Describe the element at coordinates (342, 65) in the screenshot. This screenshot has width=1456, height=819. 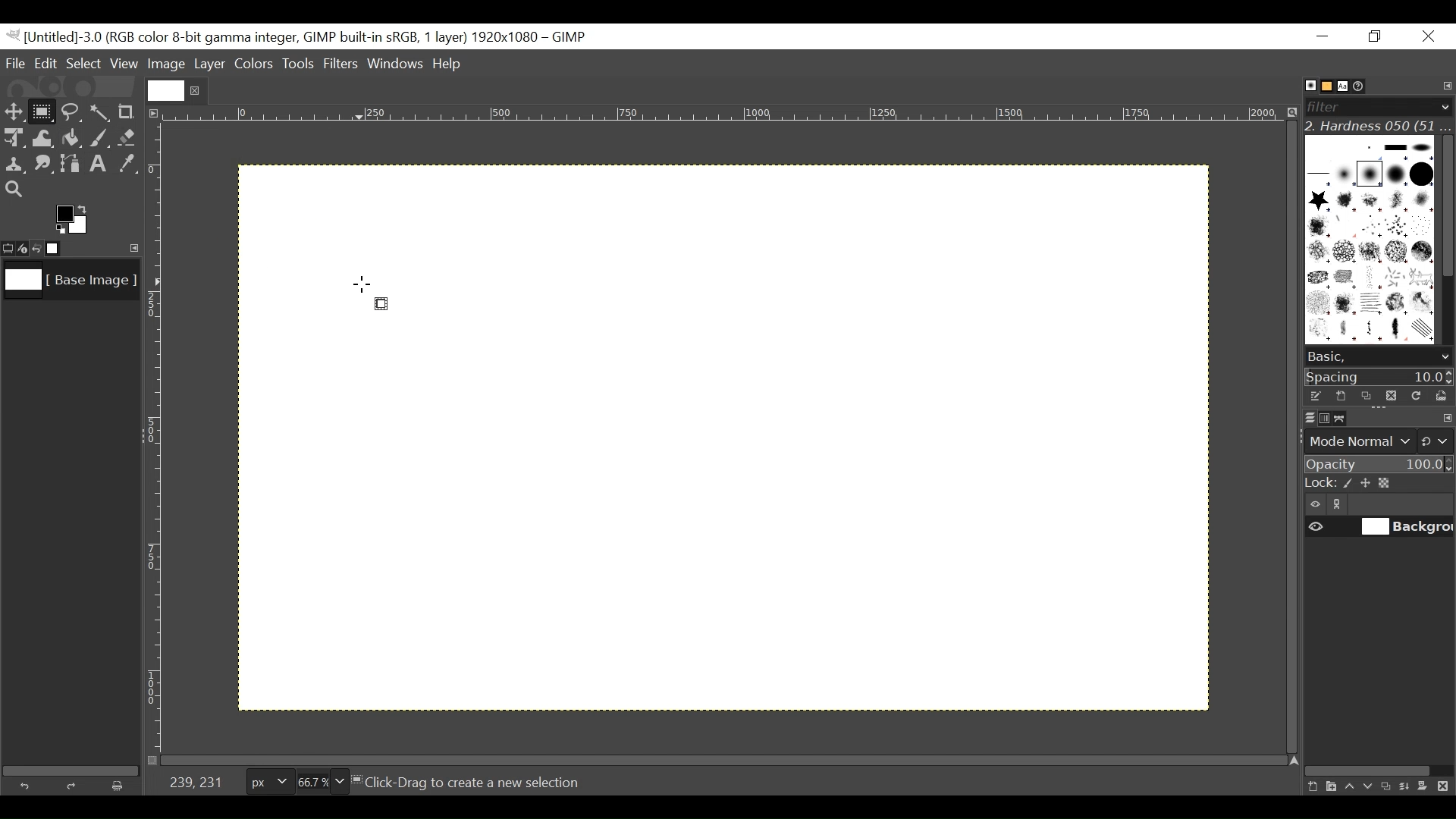
I see `Filters` at that location.